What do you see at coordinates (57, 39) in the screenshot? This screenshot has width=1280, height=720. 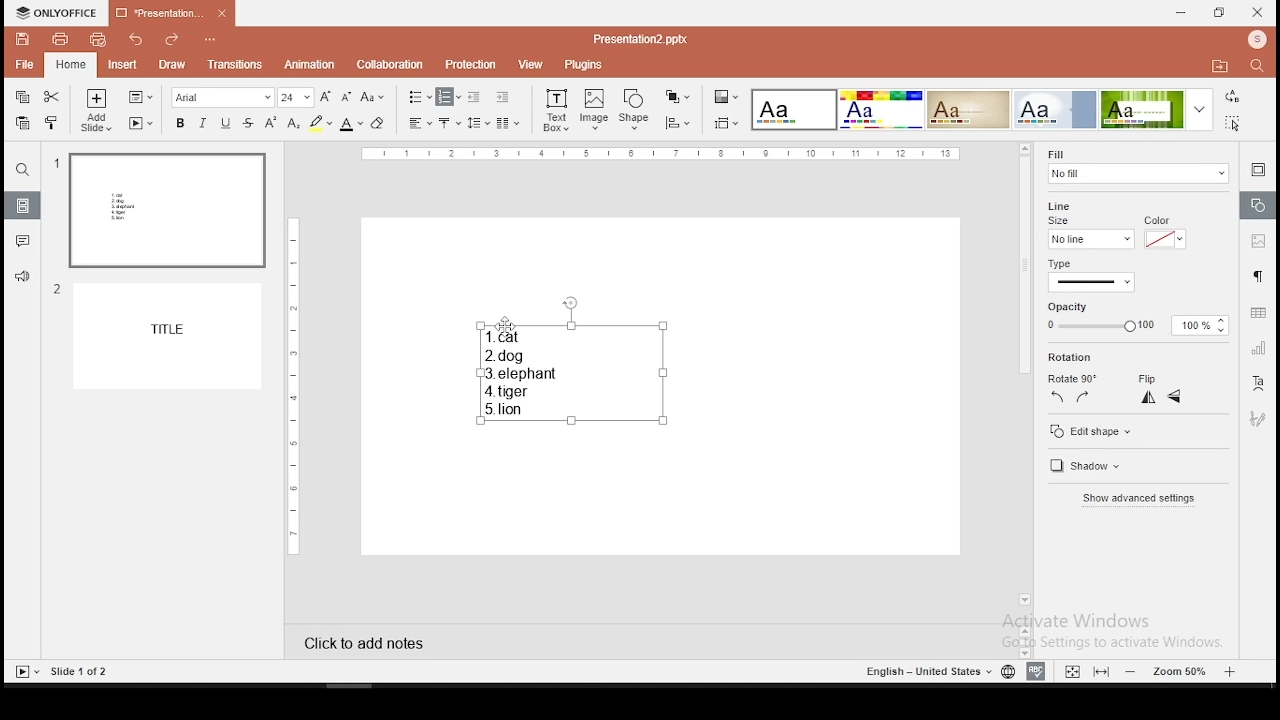 I see `print file` at bounding box center [57, 39].